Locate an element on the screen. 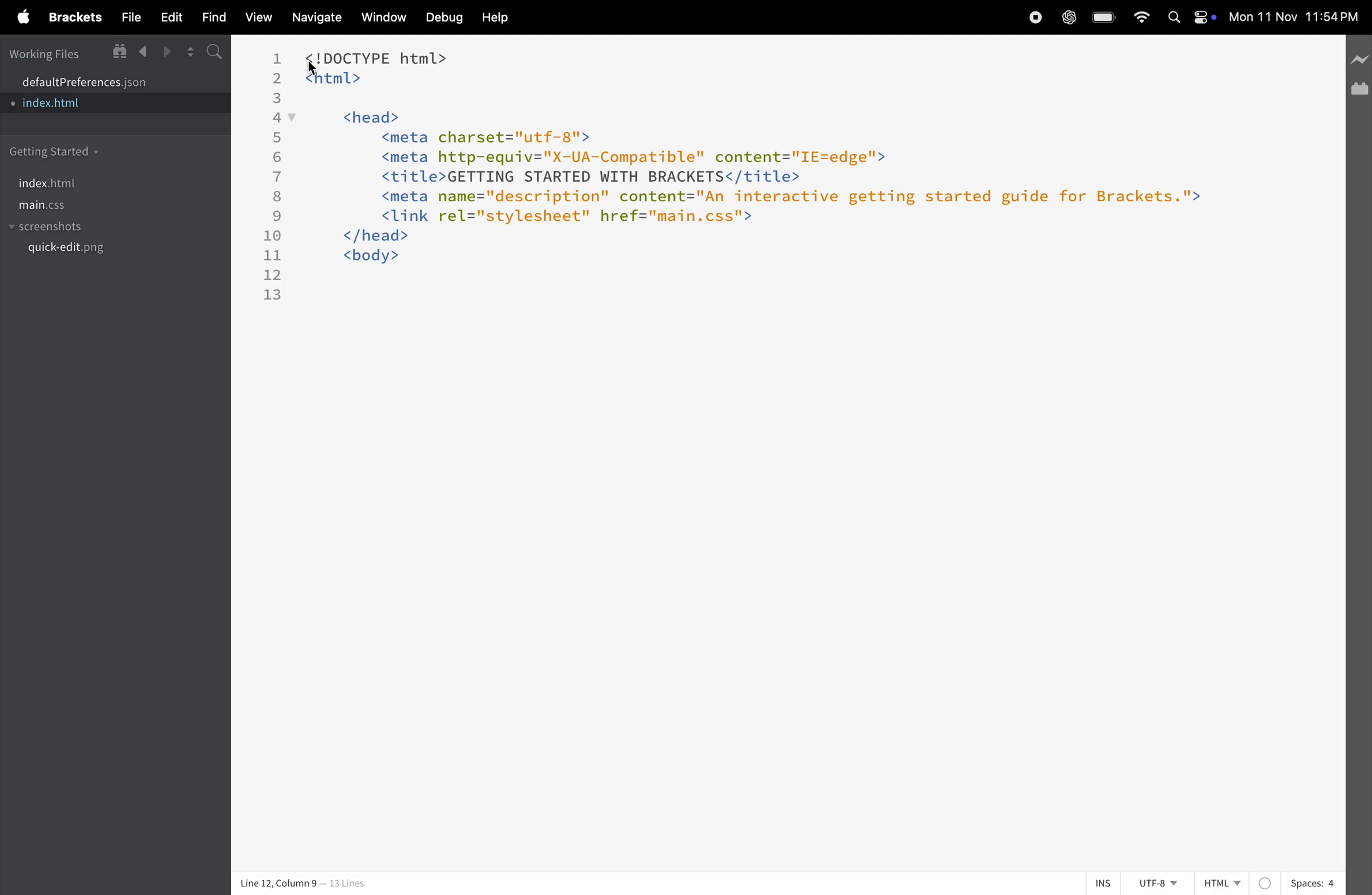 This screenshot has height=895, width=1372. code block is located at coordinates (762, 183).